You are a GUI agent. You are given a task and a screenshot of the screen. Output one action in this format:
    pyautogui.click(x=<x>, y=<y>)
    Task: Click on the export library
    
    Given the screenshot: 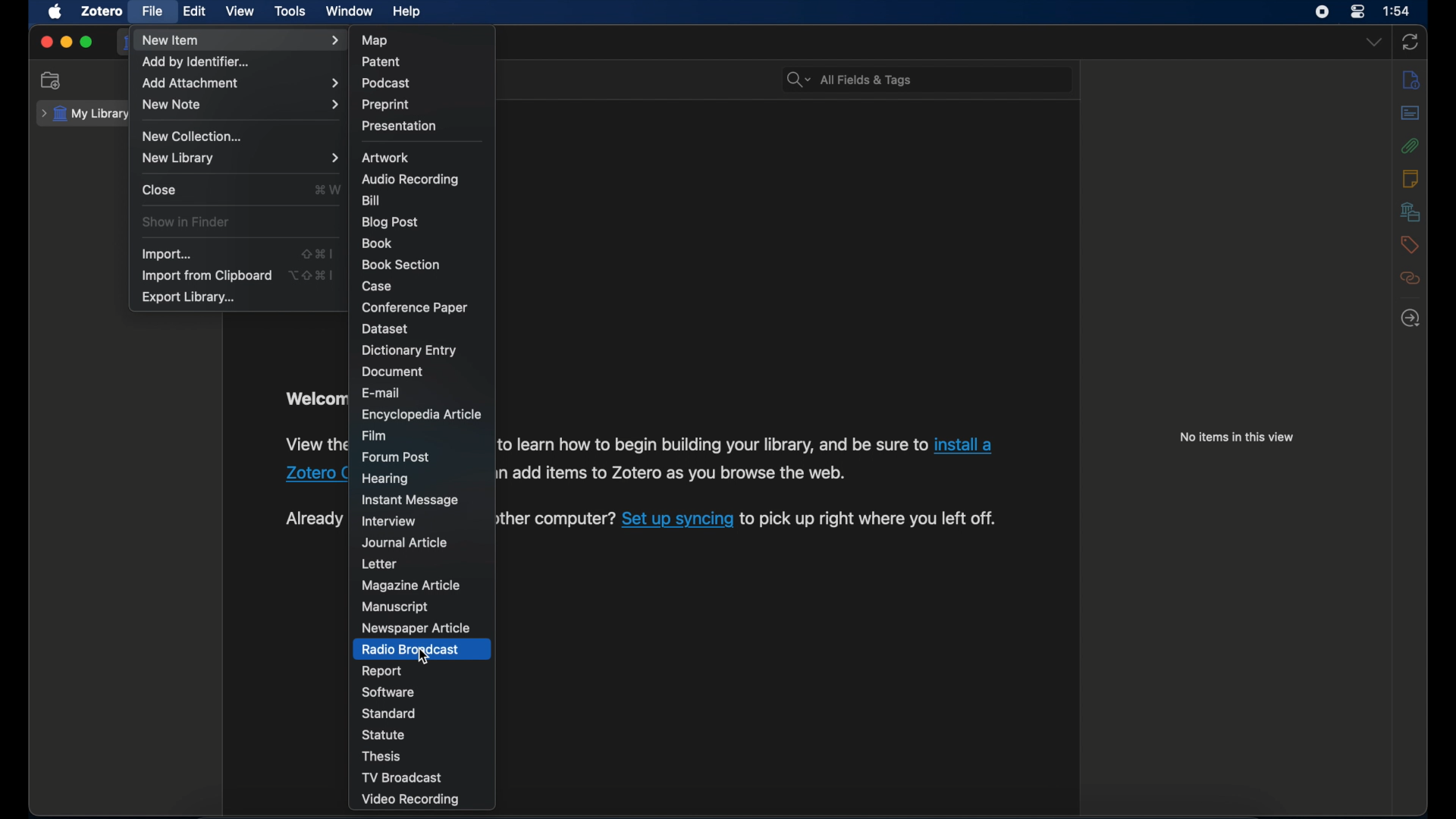 What is the action you would take?
    pyautogui.click(x=190, y=298)
    